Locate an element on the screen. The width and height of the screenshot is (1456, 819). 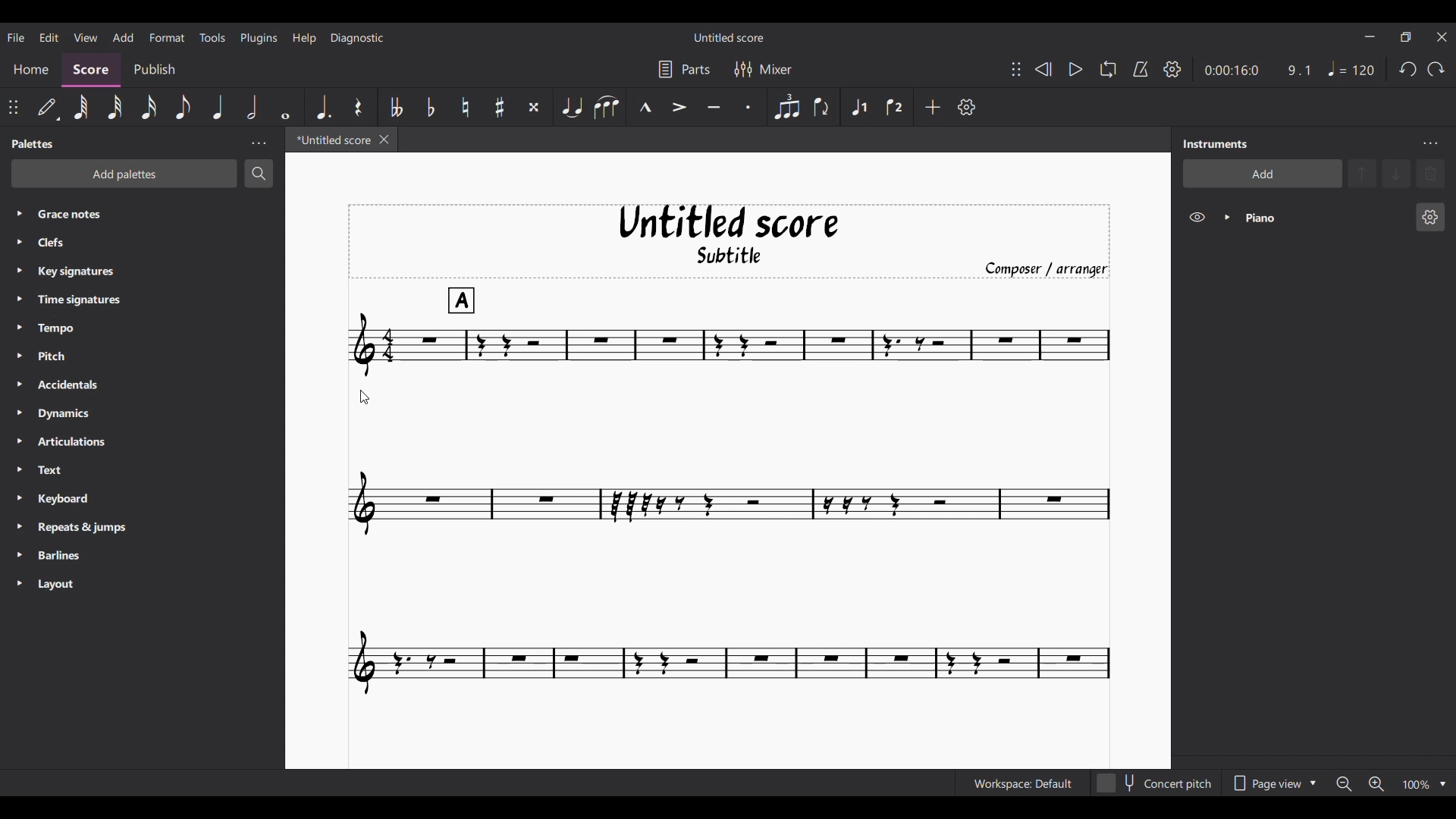
Untitled score is located at coordinates (729, 222).